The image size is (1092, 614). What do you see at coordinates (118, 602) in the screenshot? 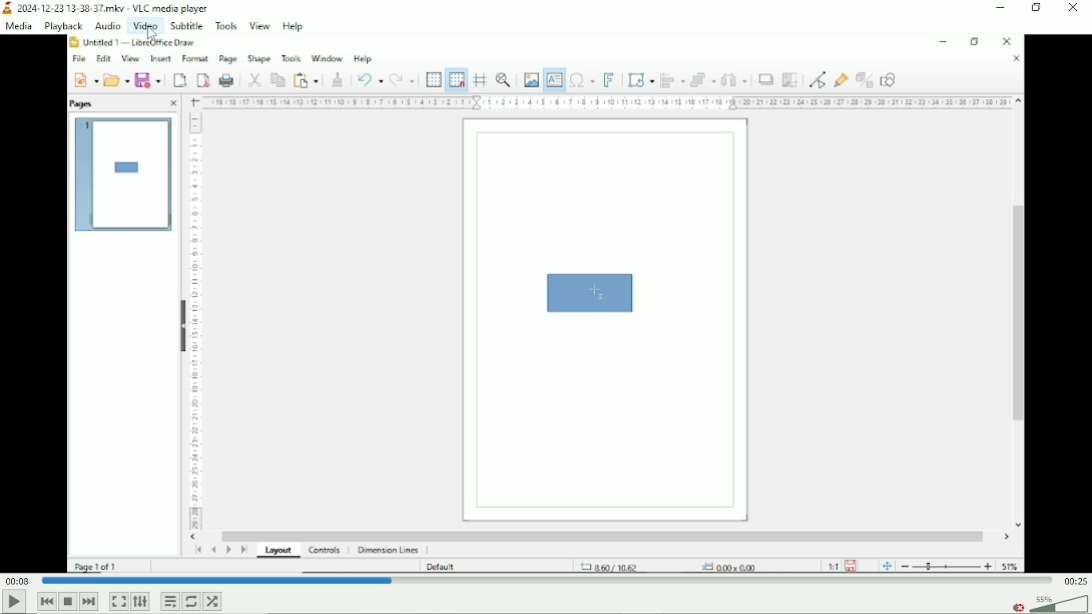
I see `Toggle video in fullscreen` at bounding box center [118, 602].